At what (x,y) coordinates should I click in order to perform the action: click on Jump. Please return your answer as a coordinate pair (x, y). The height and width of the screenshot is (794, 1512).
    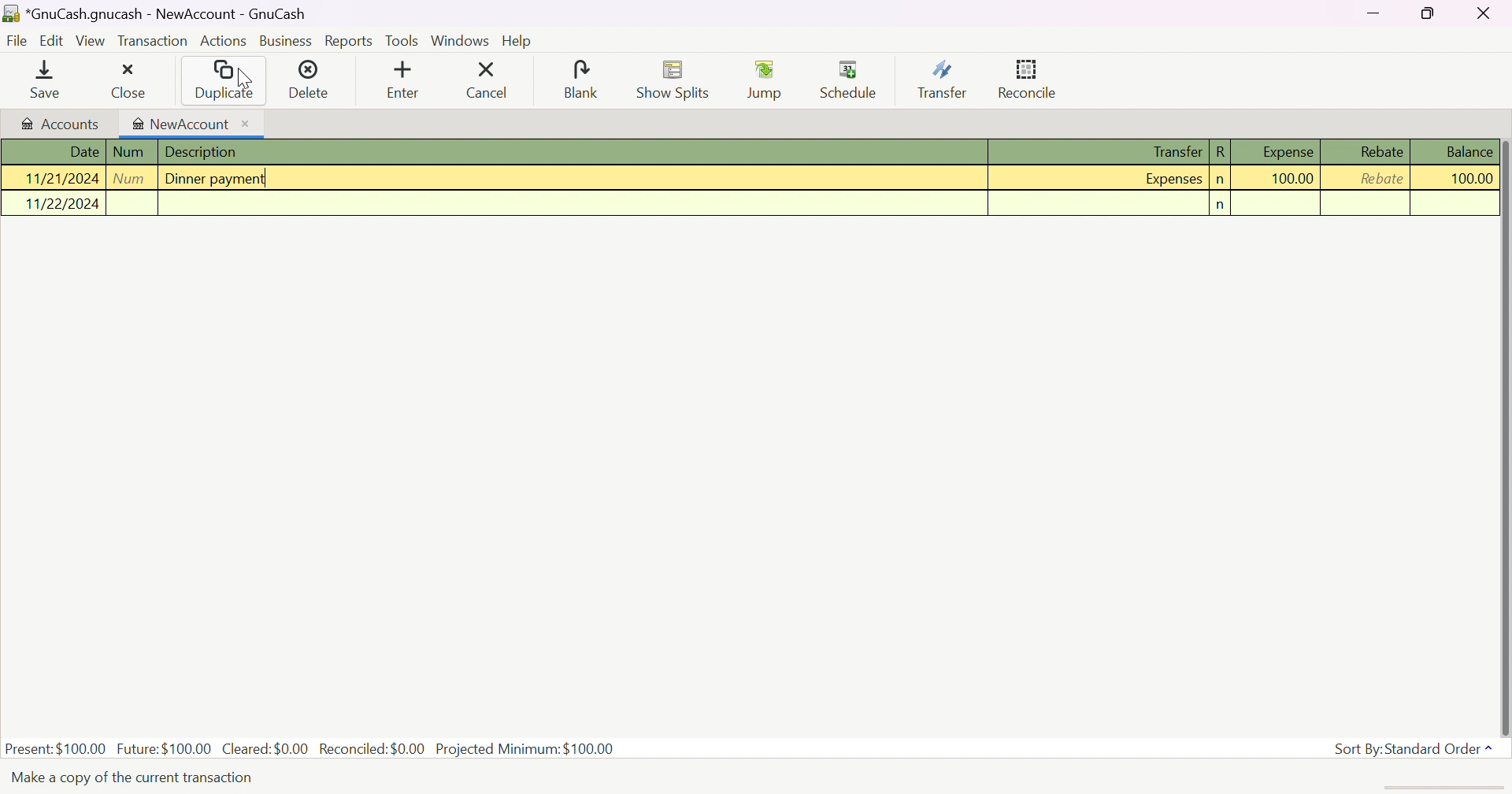
    Looking at the image, I should click on (767, 80).